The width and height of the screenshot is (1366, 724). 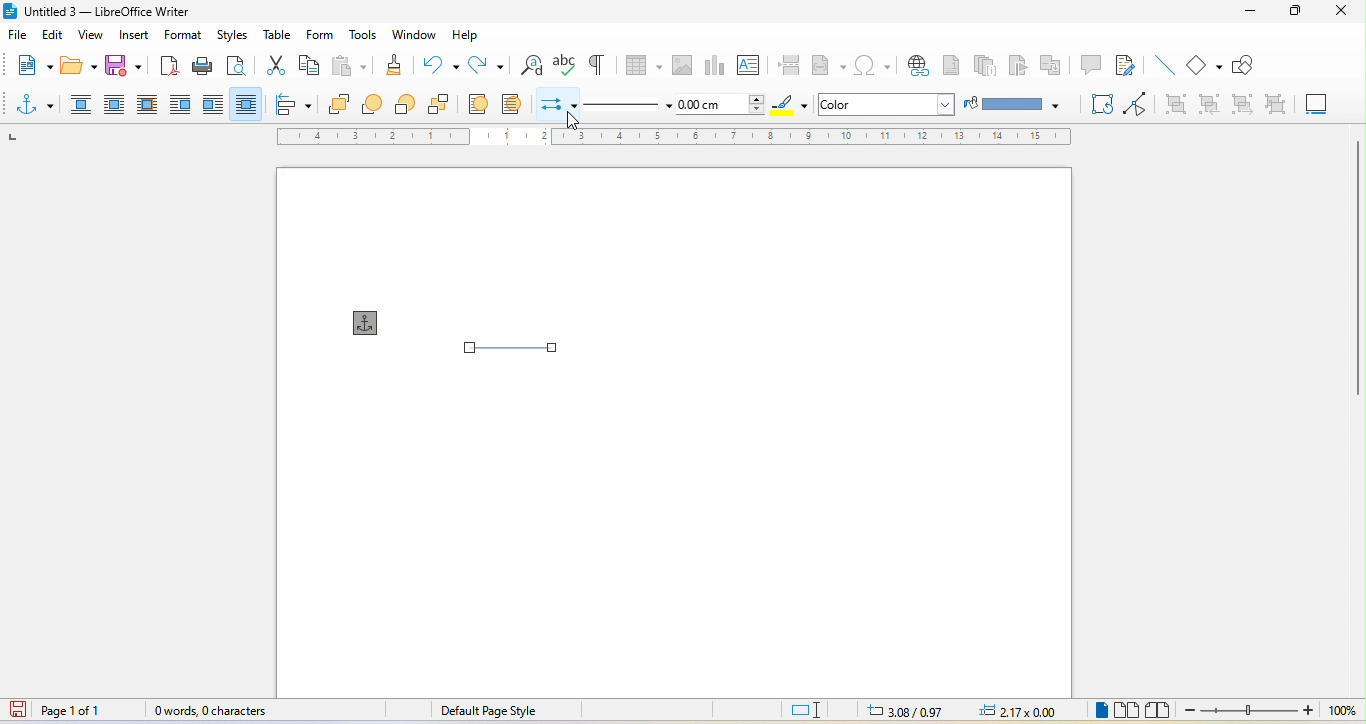 I want to click on none, so click(x=81, y=106).